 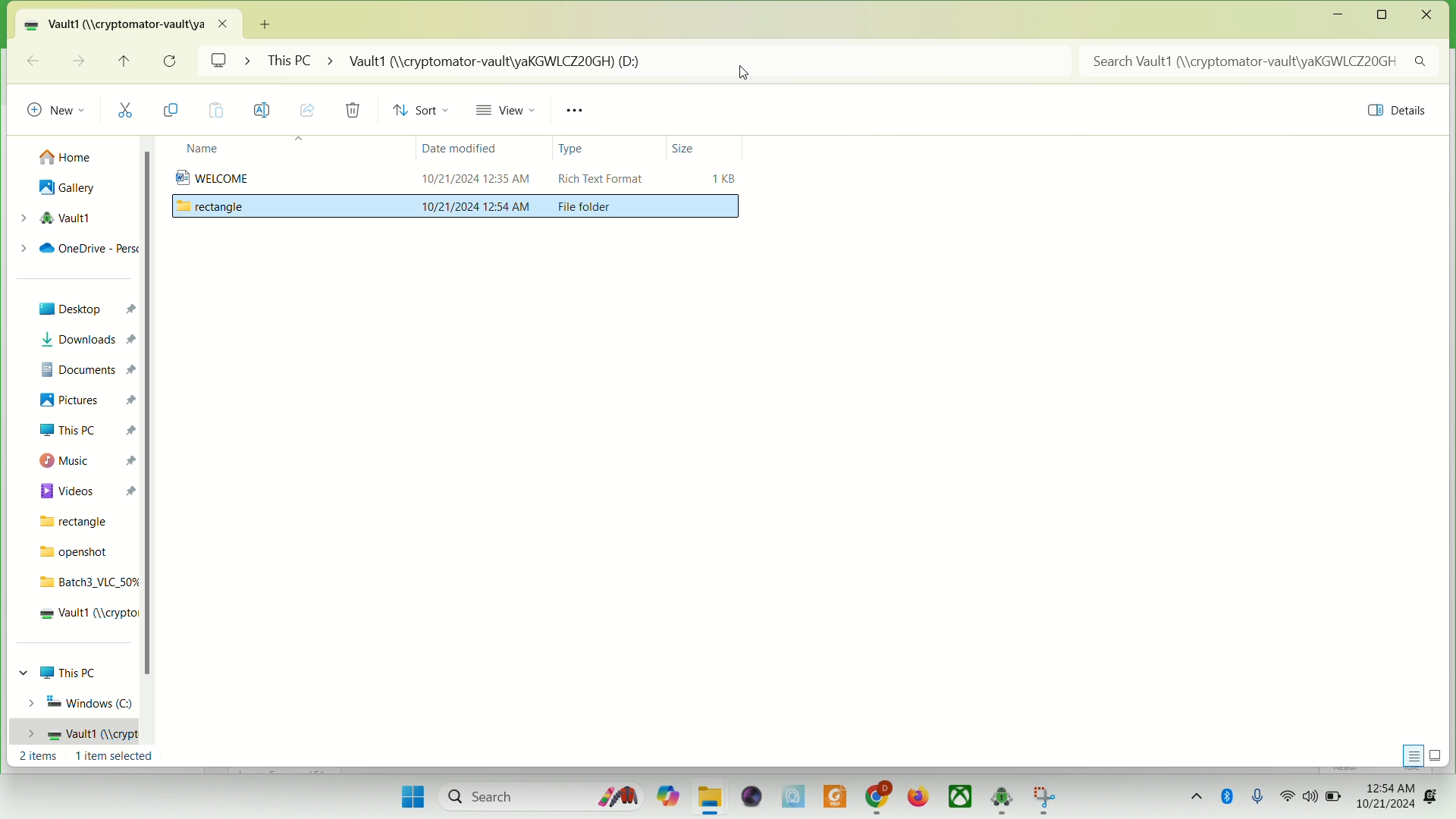 What do you see at coordinates (961, 797) in the screenshot?
I see `Xbox` at bounding box center [961, 797].